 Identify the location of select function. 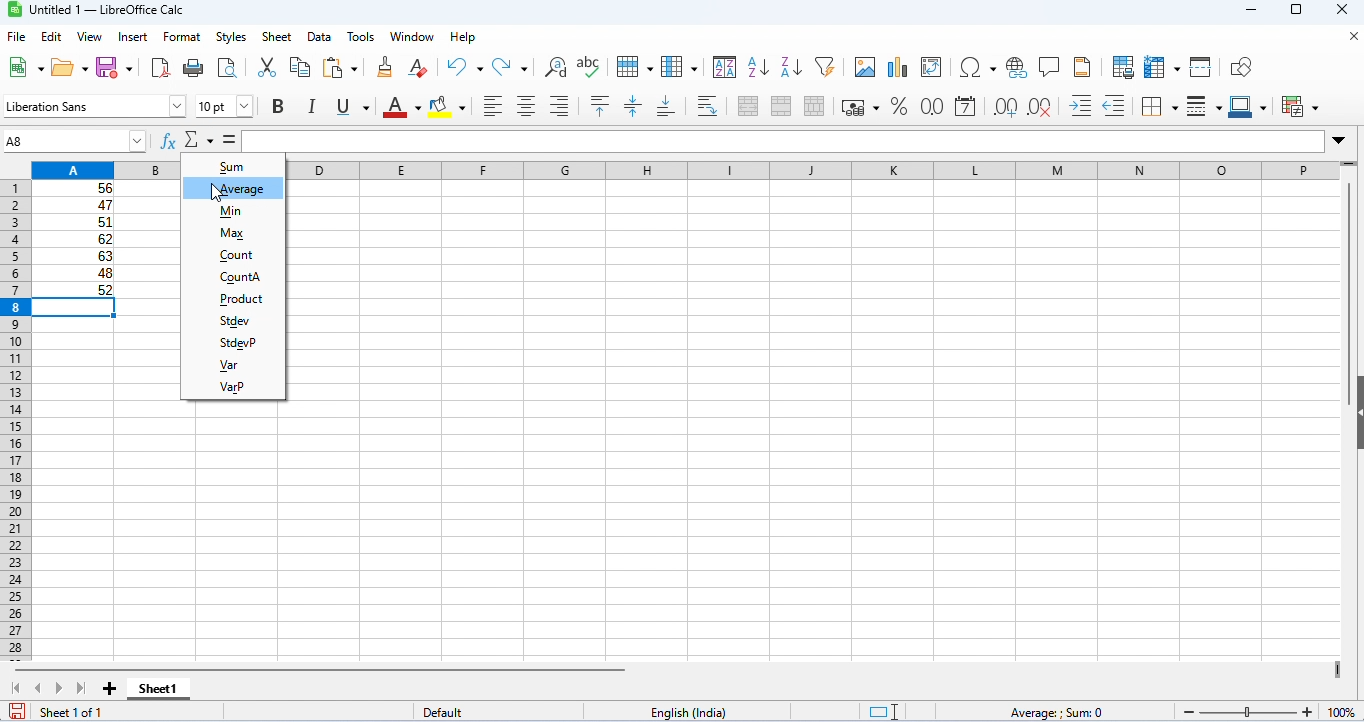
(201, 139).